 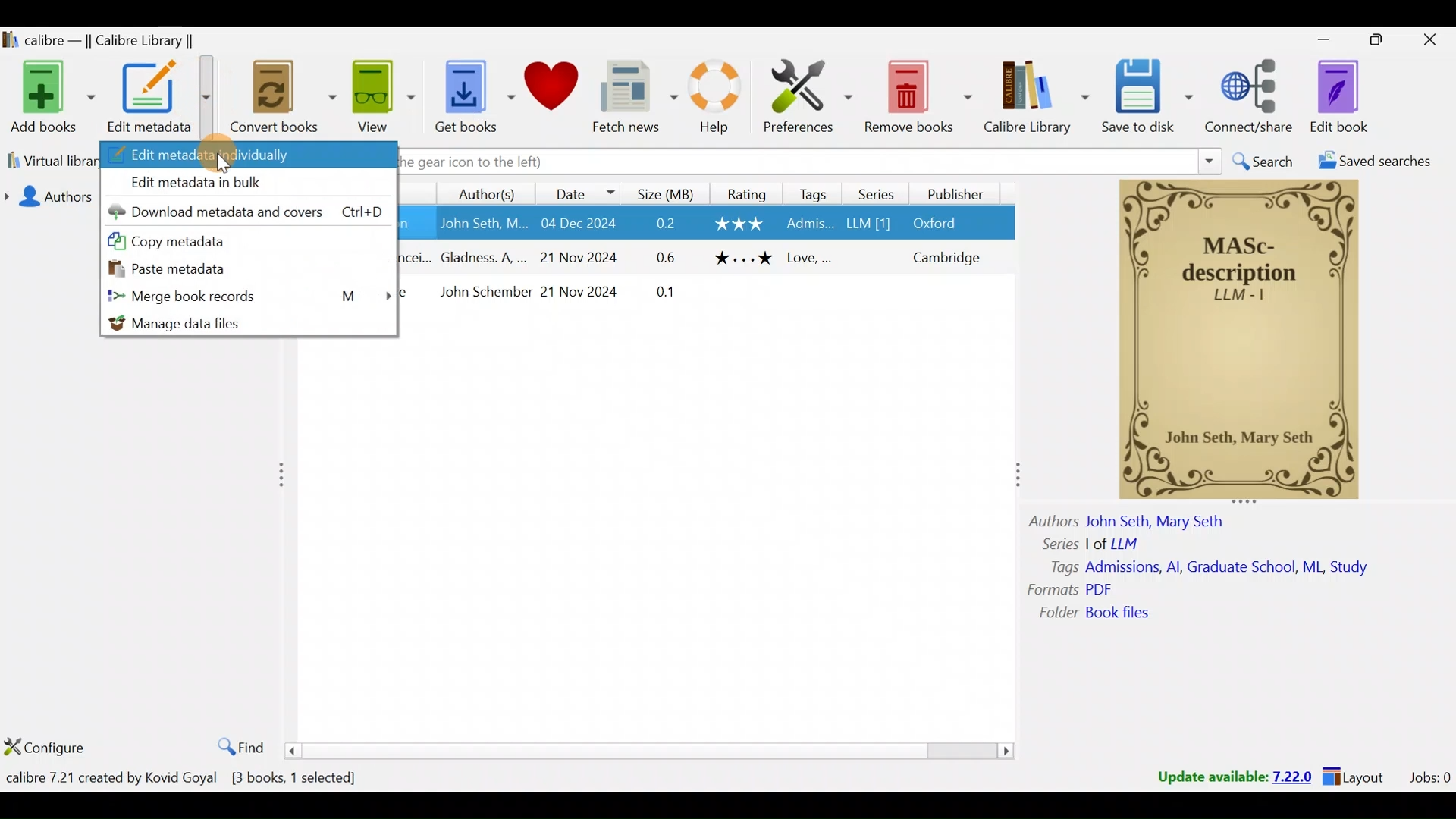 I want to click on , so click(x=1016, y=481).